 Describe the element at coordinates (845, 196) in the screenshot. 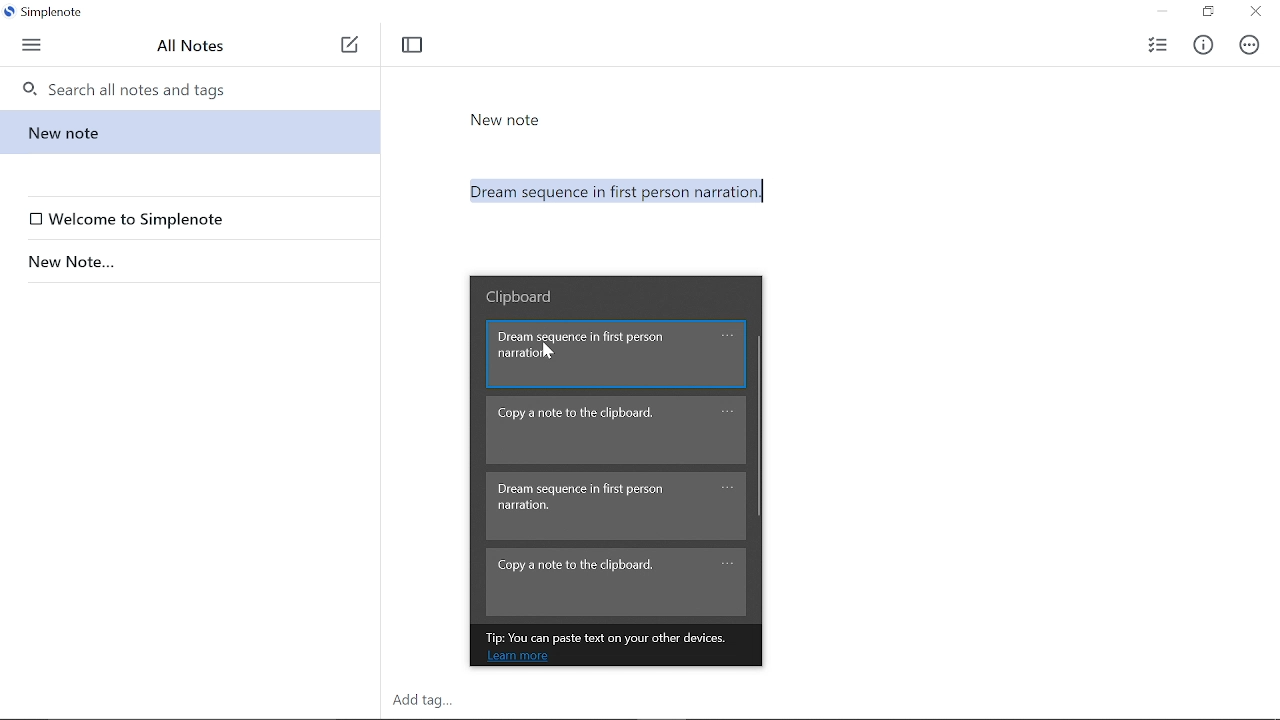

I see `Dream sequence in first person narration.` at that location.